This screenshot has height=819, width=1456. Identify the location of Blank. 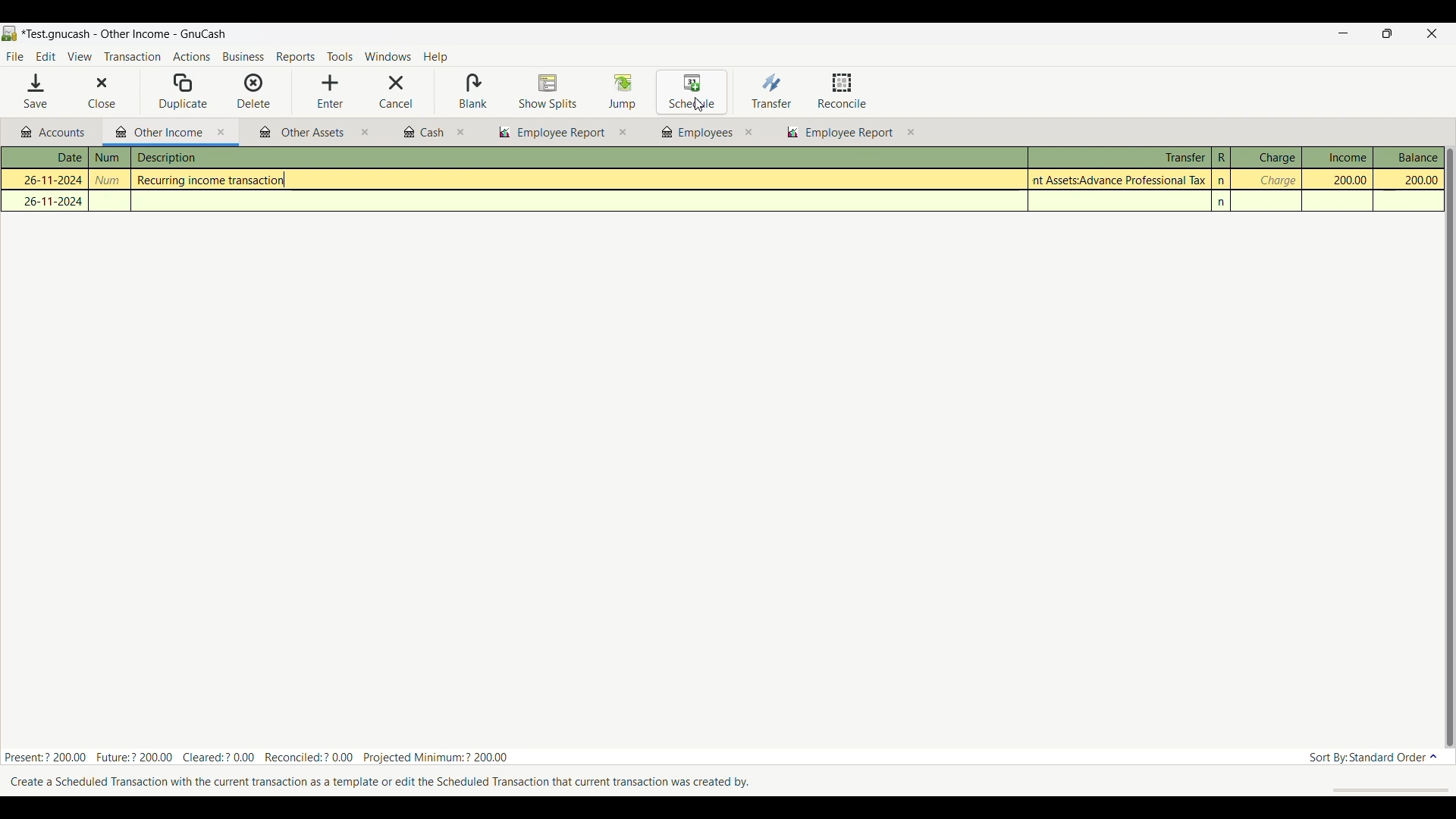
(472, 92).